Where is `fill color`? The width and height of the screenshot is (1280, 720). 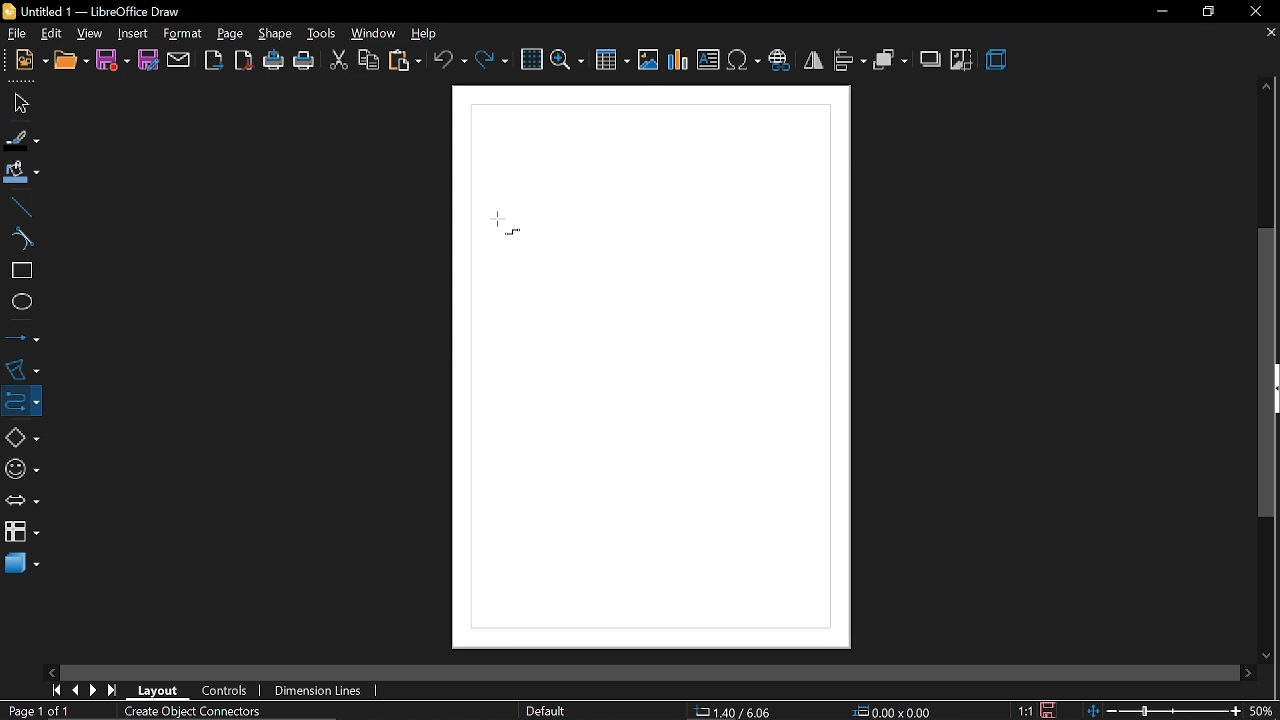 fill color is located at coordinates (22, 173).